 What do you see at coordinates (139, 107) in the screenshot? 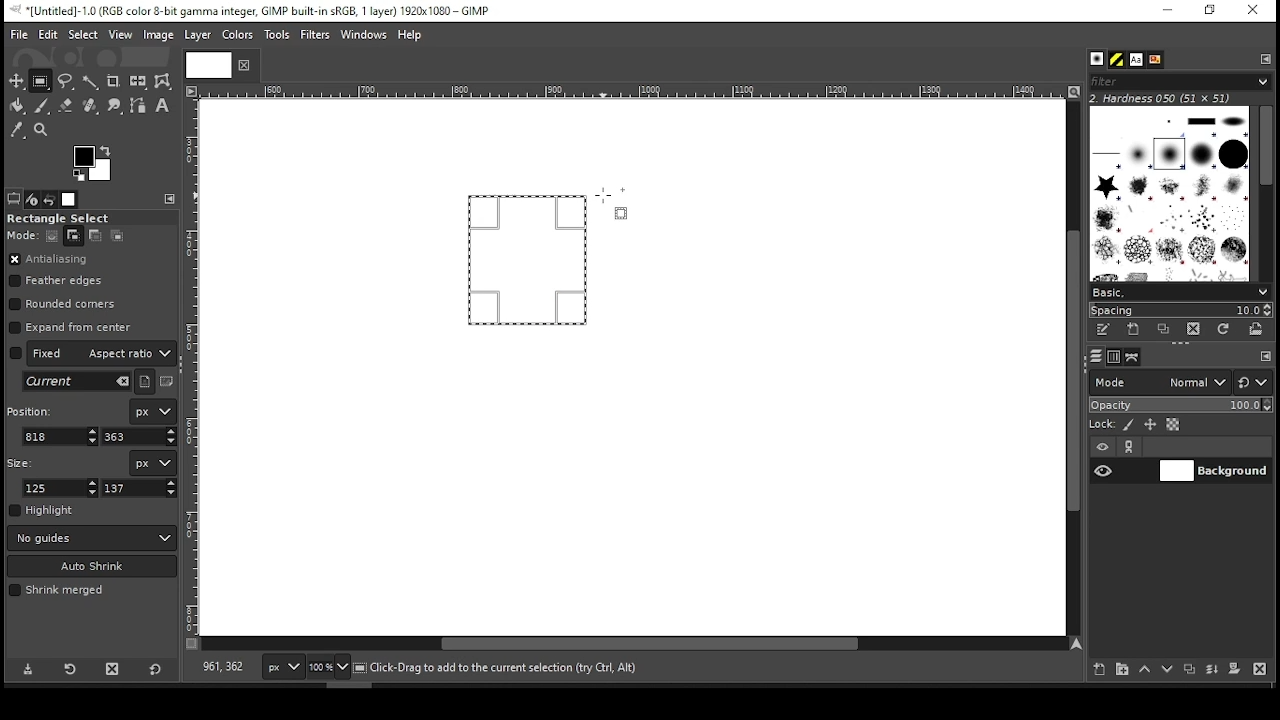
I see `paths tool` at bounding box center [139, 107].